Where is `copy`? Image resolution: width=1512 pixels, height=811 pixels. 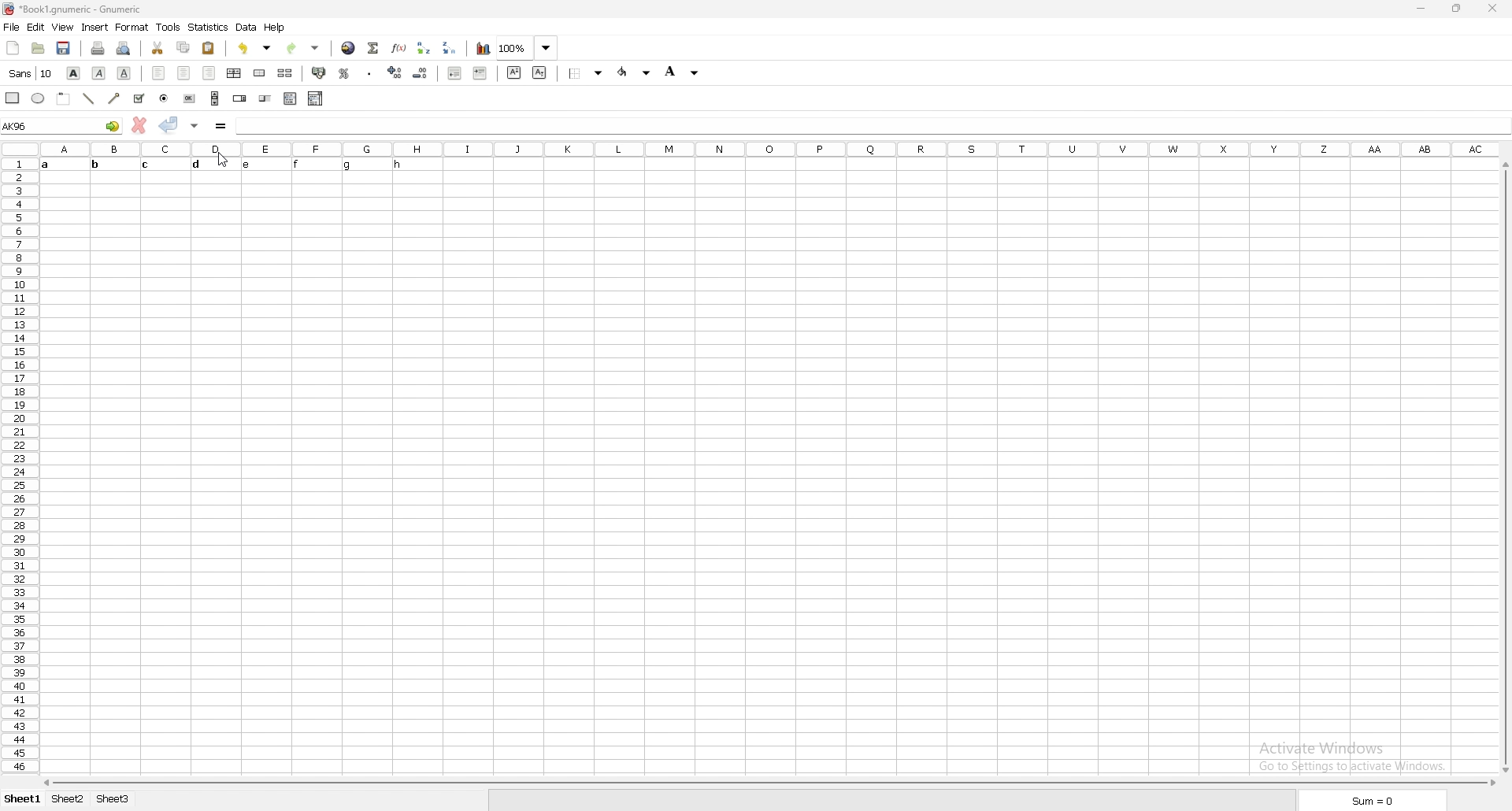 copy is located at coordinates (184, 46).